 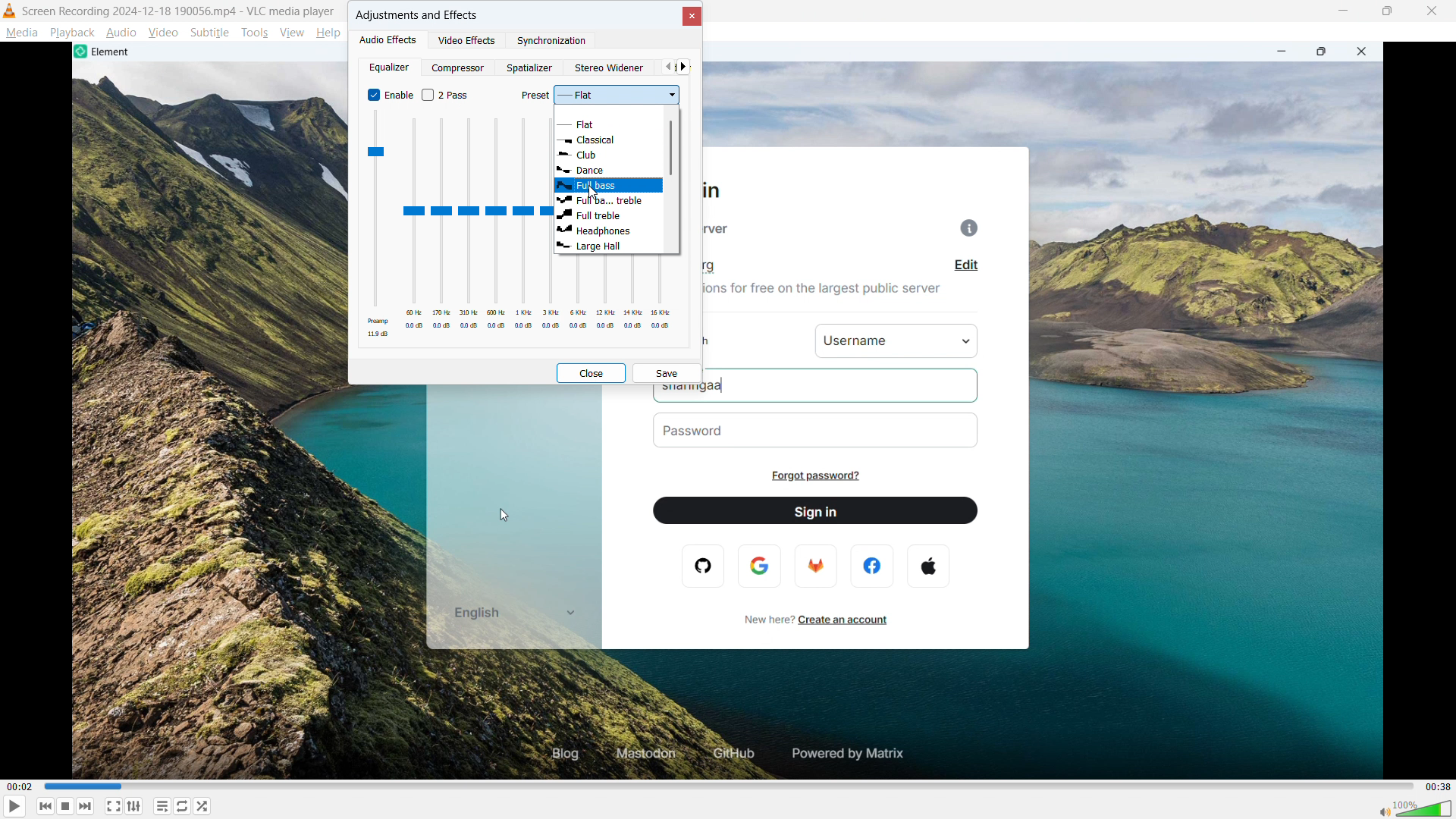 What do you see at coordinates (1389, 11) in the screenshot?
I see `Maximize ` at bounding box center [1389, 11].